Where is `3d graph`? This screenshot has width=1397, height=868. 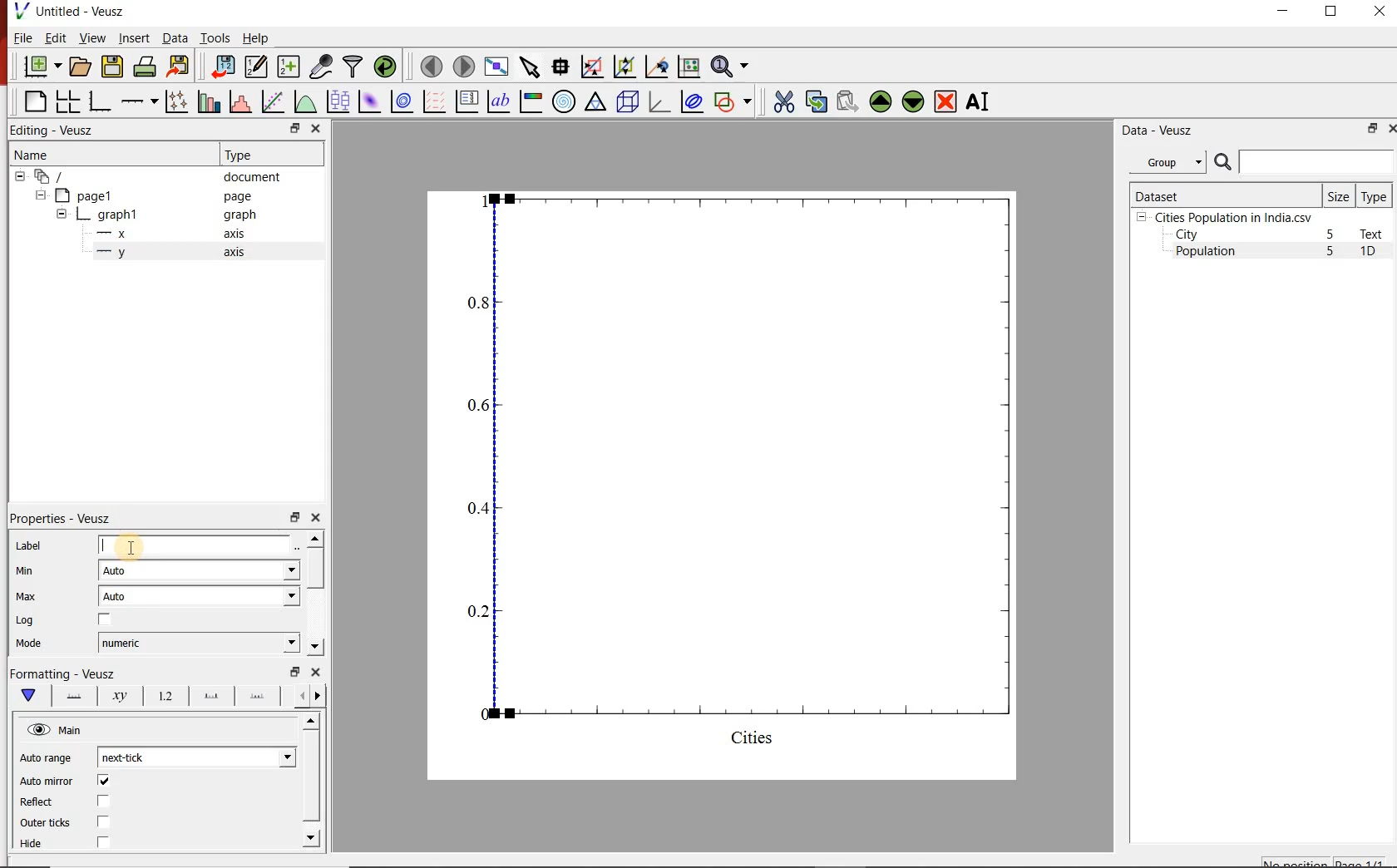
3d graph is located at coordinates (658, 101).